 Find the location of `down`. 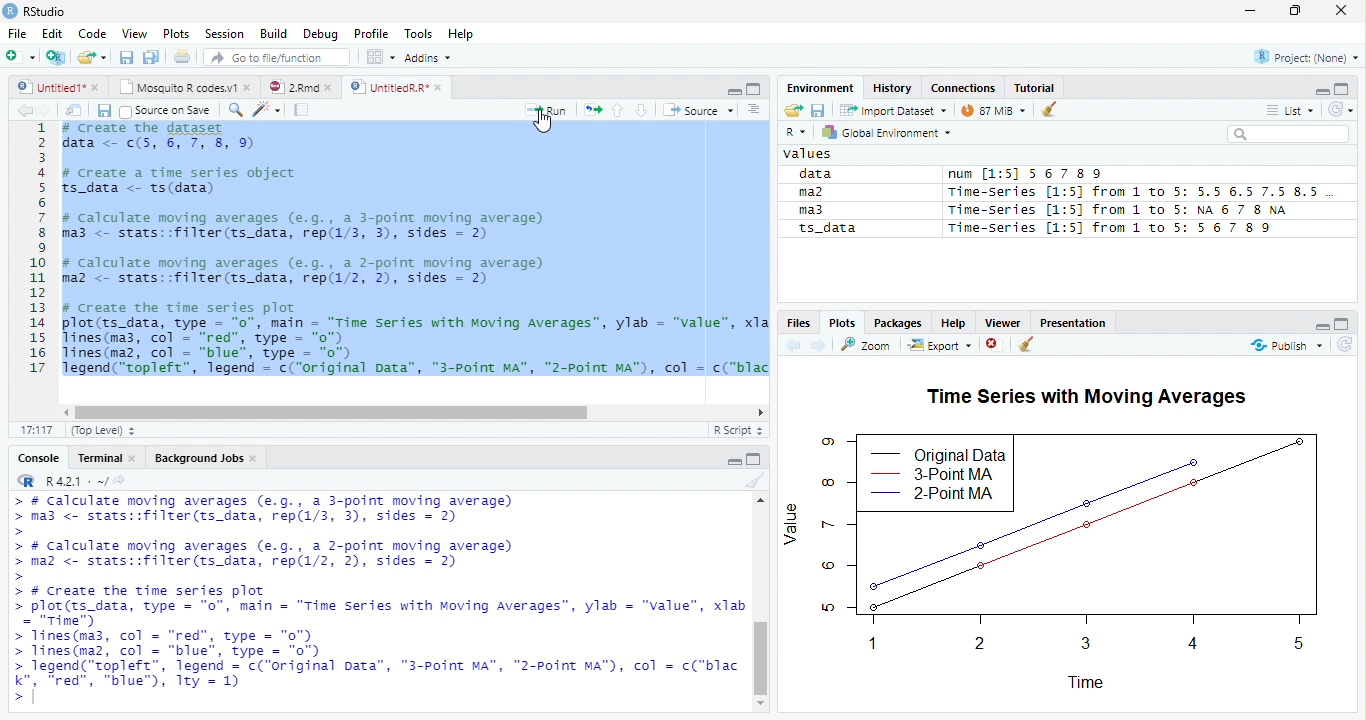

down is located at coordinates (641, 110).